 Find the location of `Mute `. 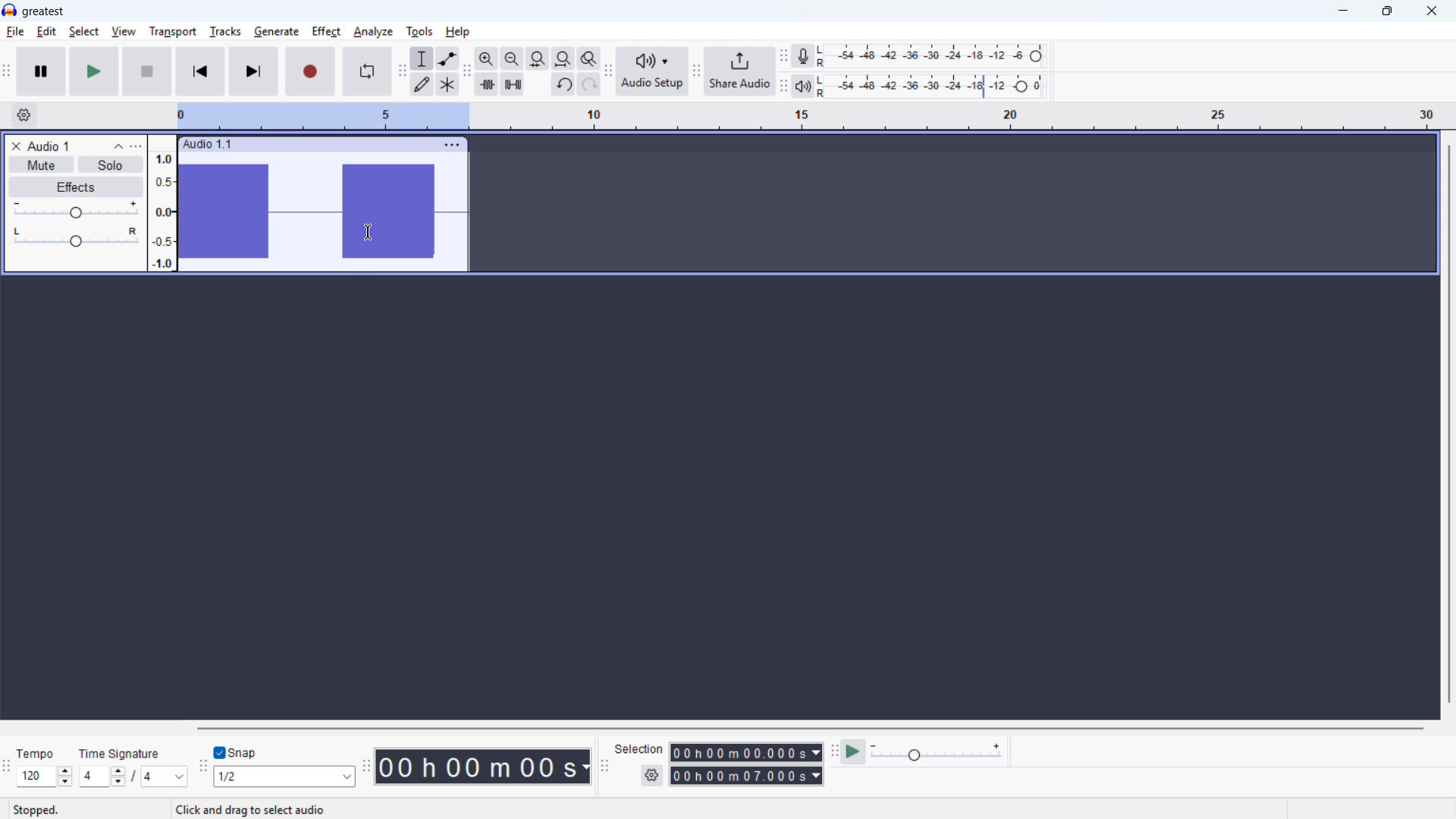

Mute  is located at coordinates (41, 164).